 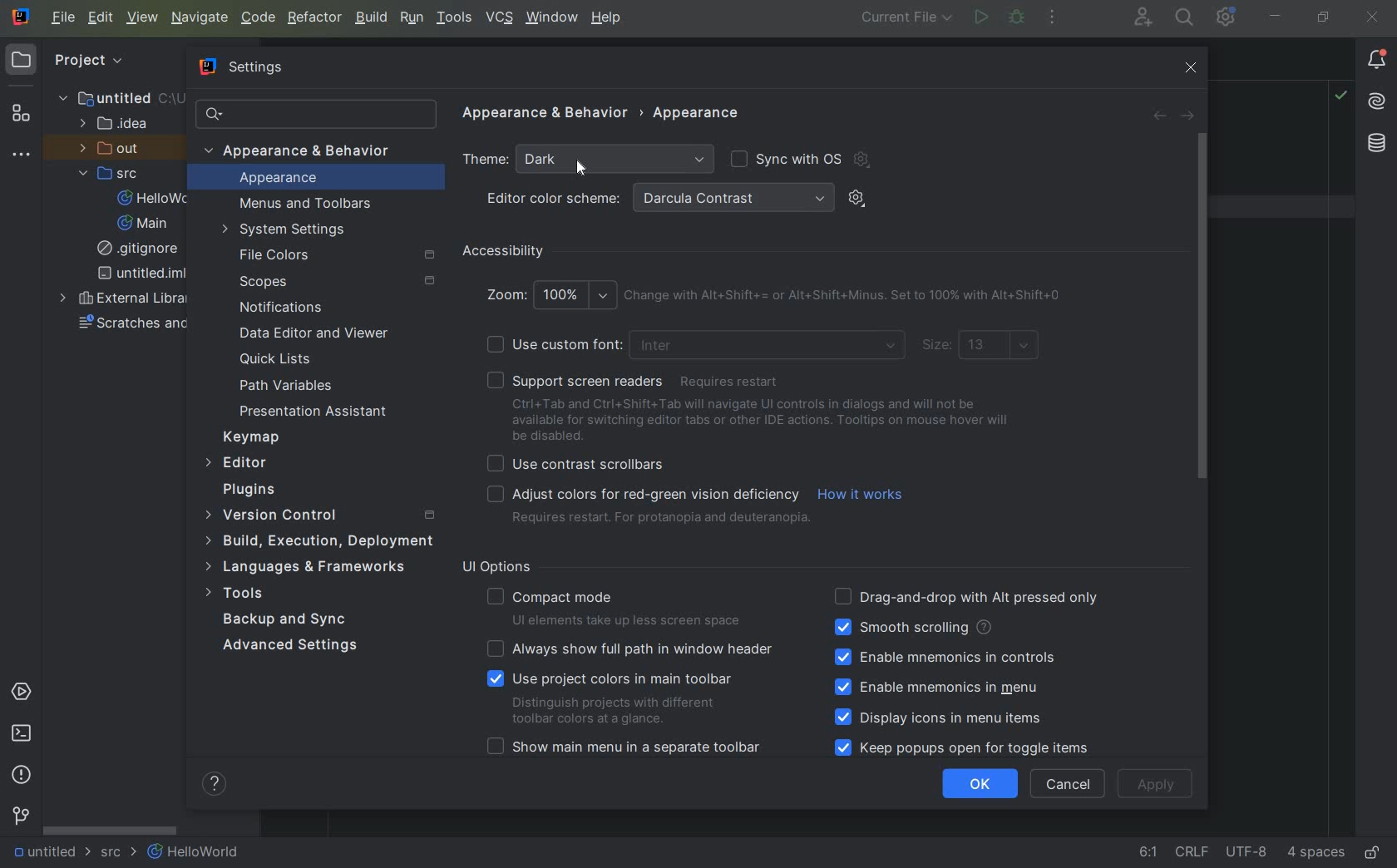 What do you see at coordinates (659, 199) in the screenshot?
I see `EDITOR COLOR SCHEME: Darcula Contrast` at bounding box center [659, 199].